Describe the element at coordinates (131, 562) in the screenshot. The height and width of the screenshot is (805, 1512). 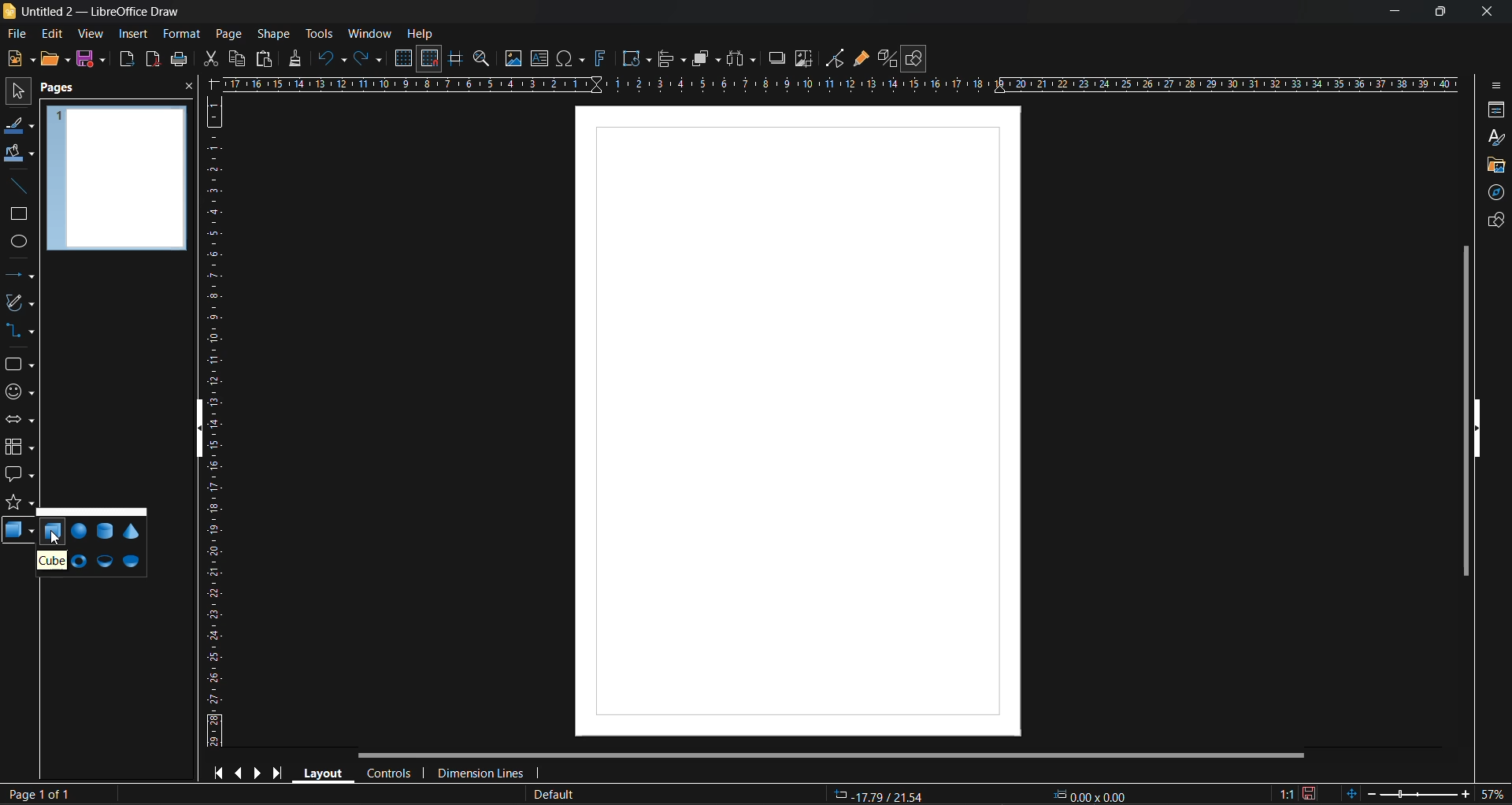
I see `half sphere` at that location.